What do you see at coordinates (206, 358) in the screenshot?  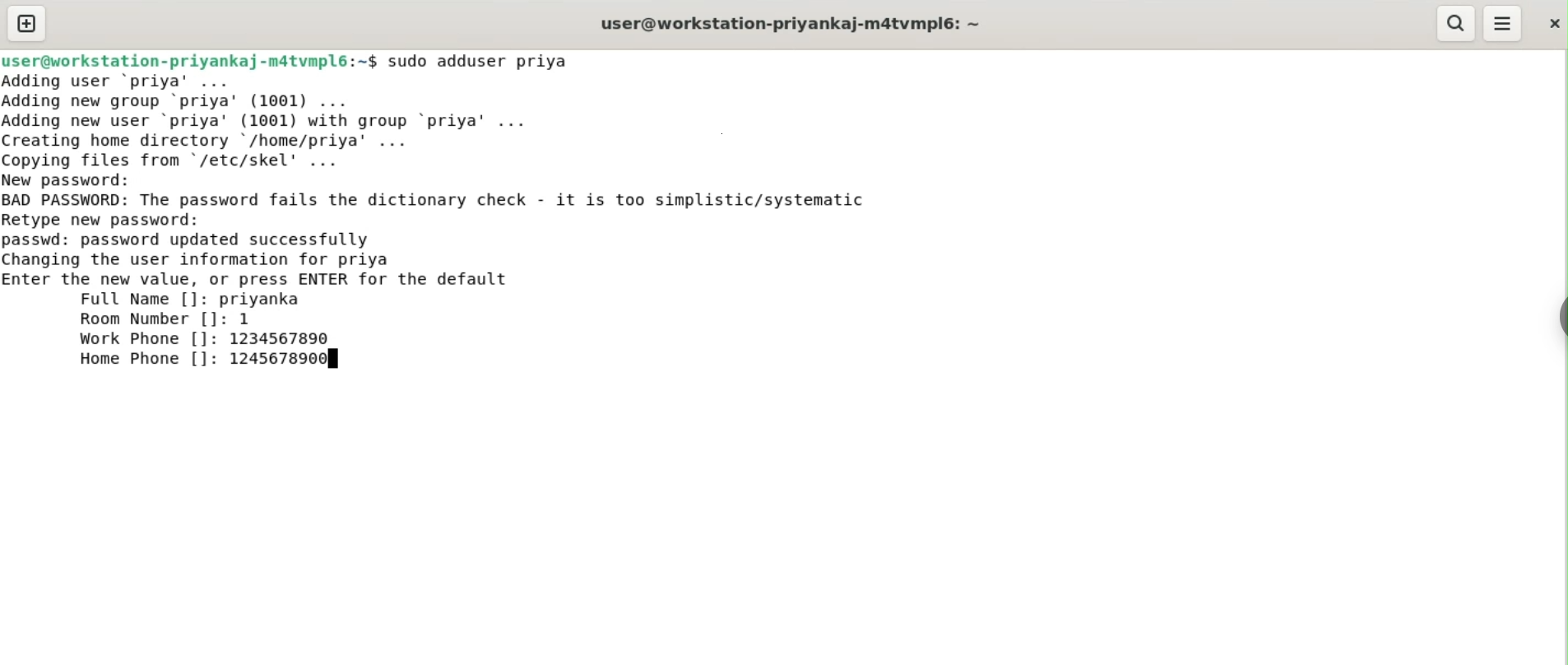 I see `Home Phone []: 1245678900` at bounding box center [206, 358].